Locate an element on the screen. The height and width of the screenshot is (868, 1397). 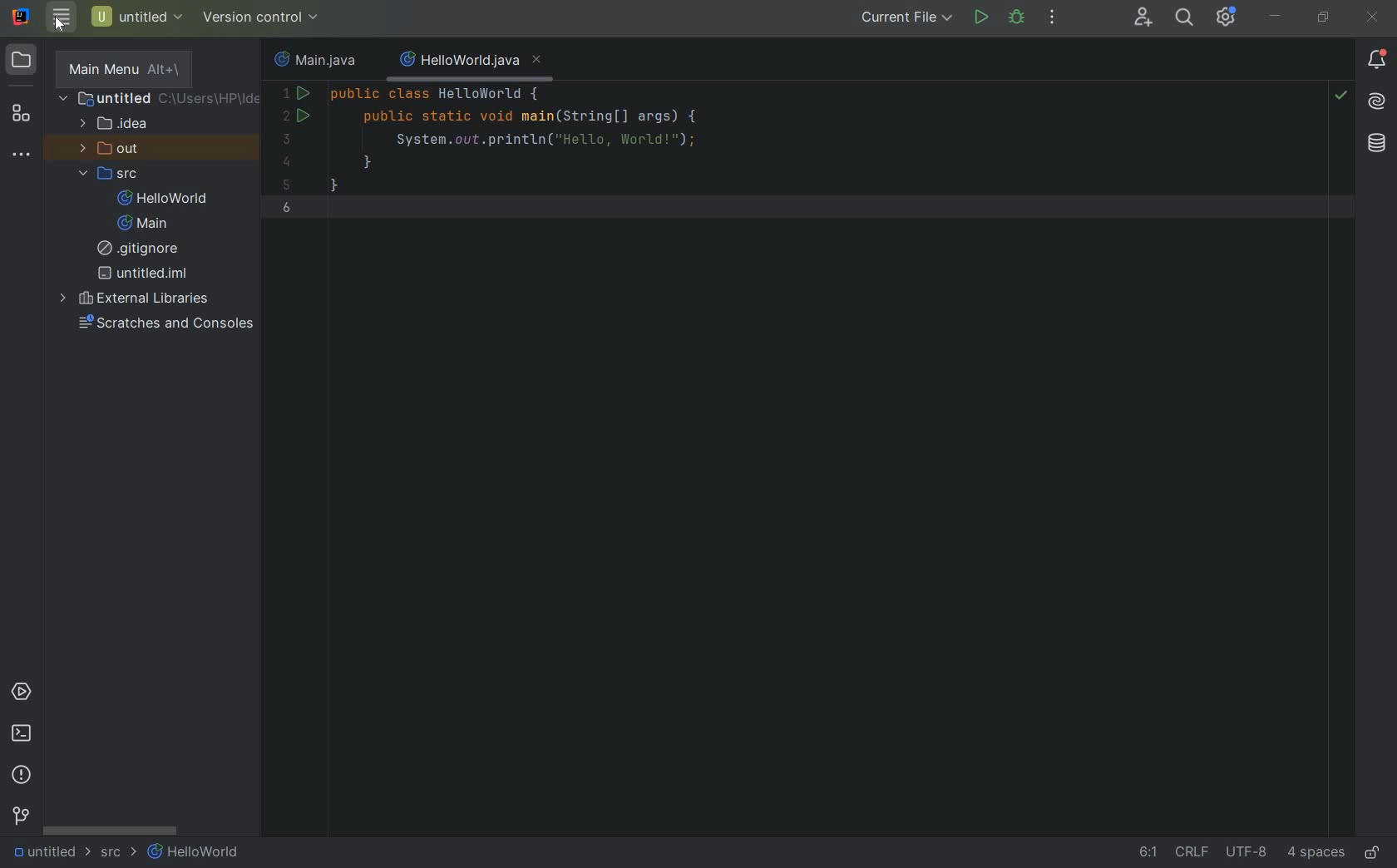
VERSION CONTROL is located at coordinates (20, 816).